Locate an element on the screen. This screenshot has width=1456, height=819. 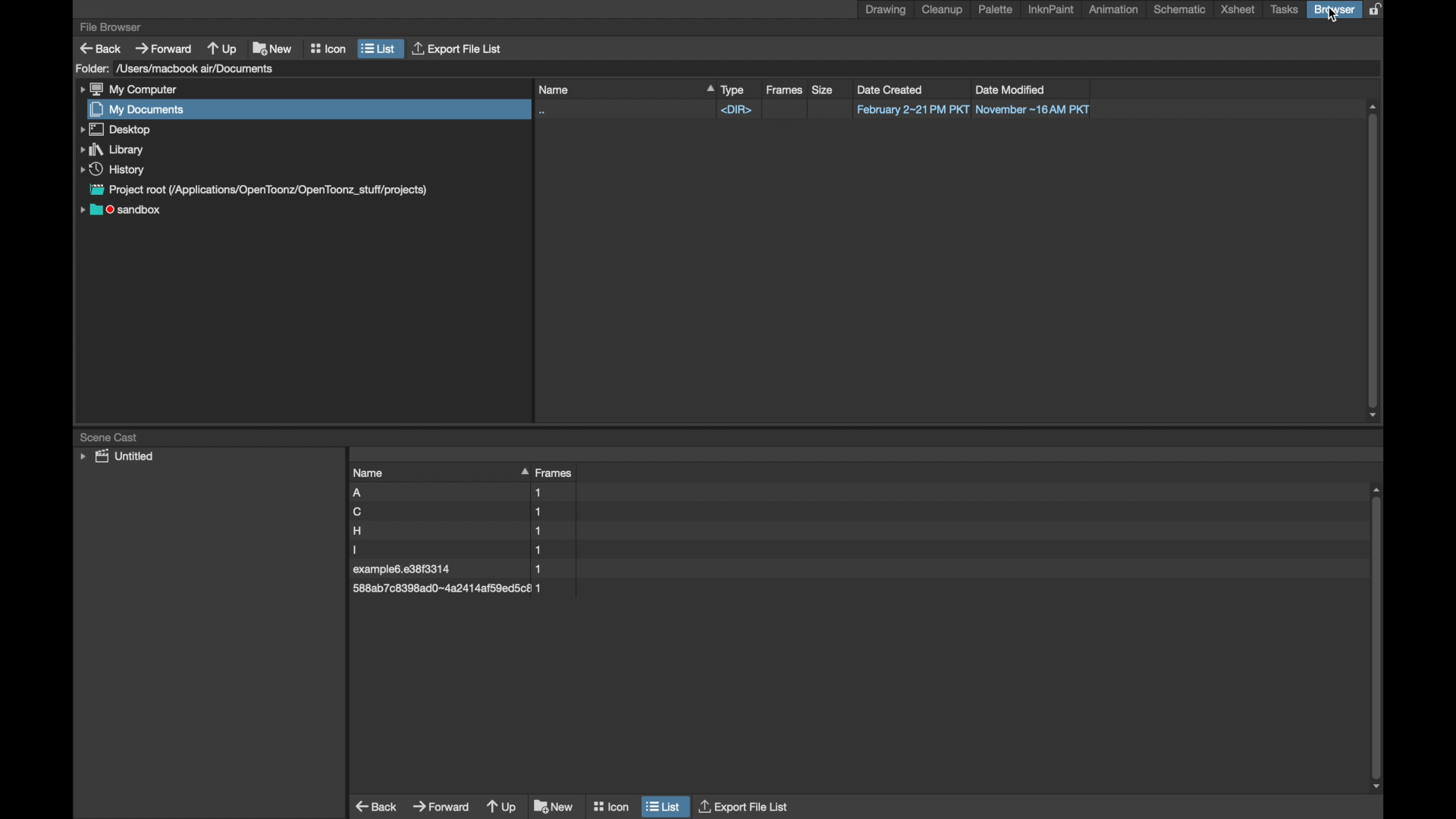
cursor is located at coordinates (1332, 16).